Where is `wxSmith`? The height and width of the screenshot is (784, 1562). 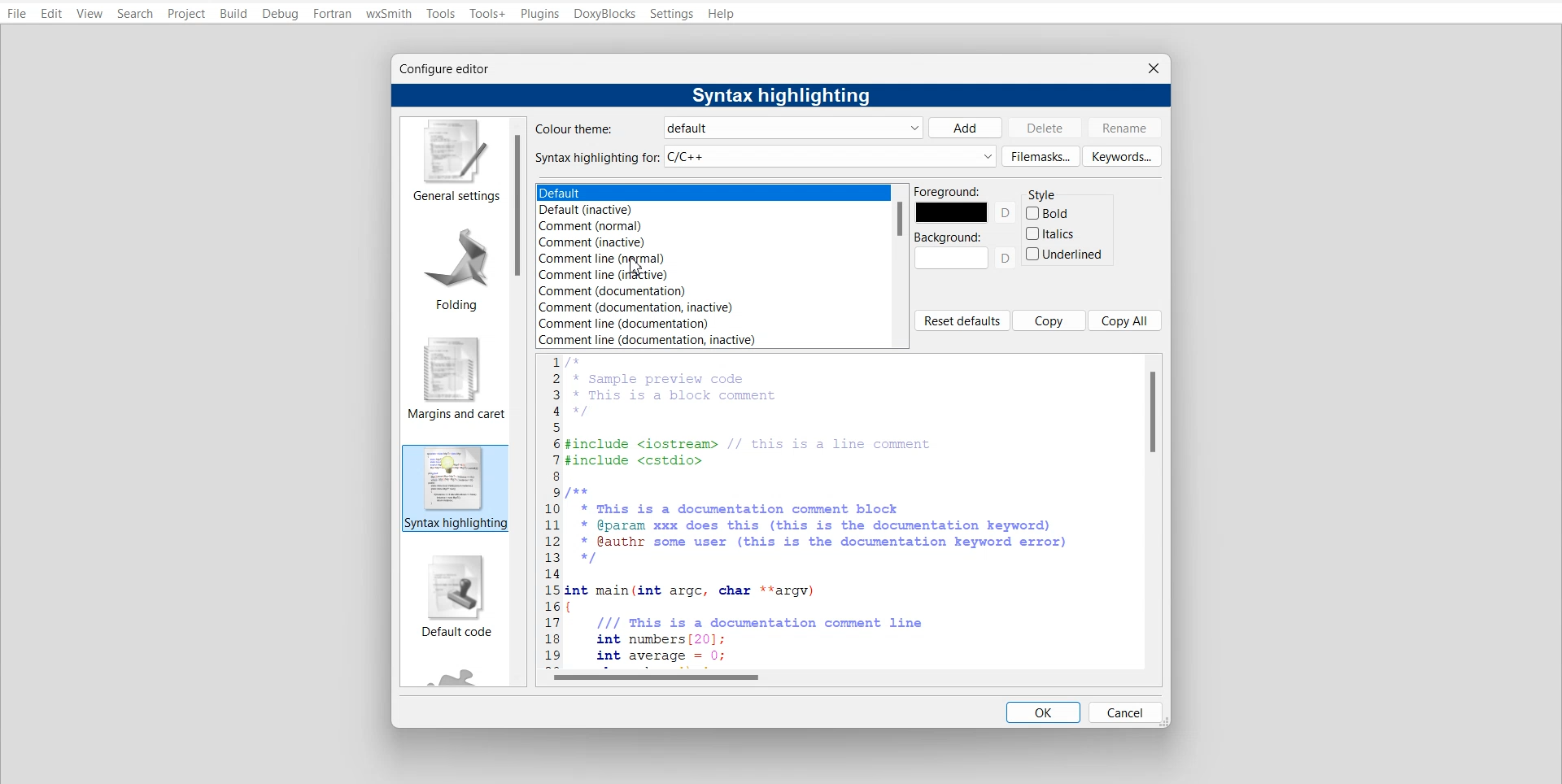
wxSmith is located at coordinates (388, 13).